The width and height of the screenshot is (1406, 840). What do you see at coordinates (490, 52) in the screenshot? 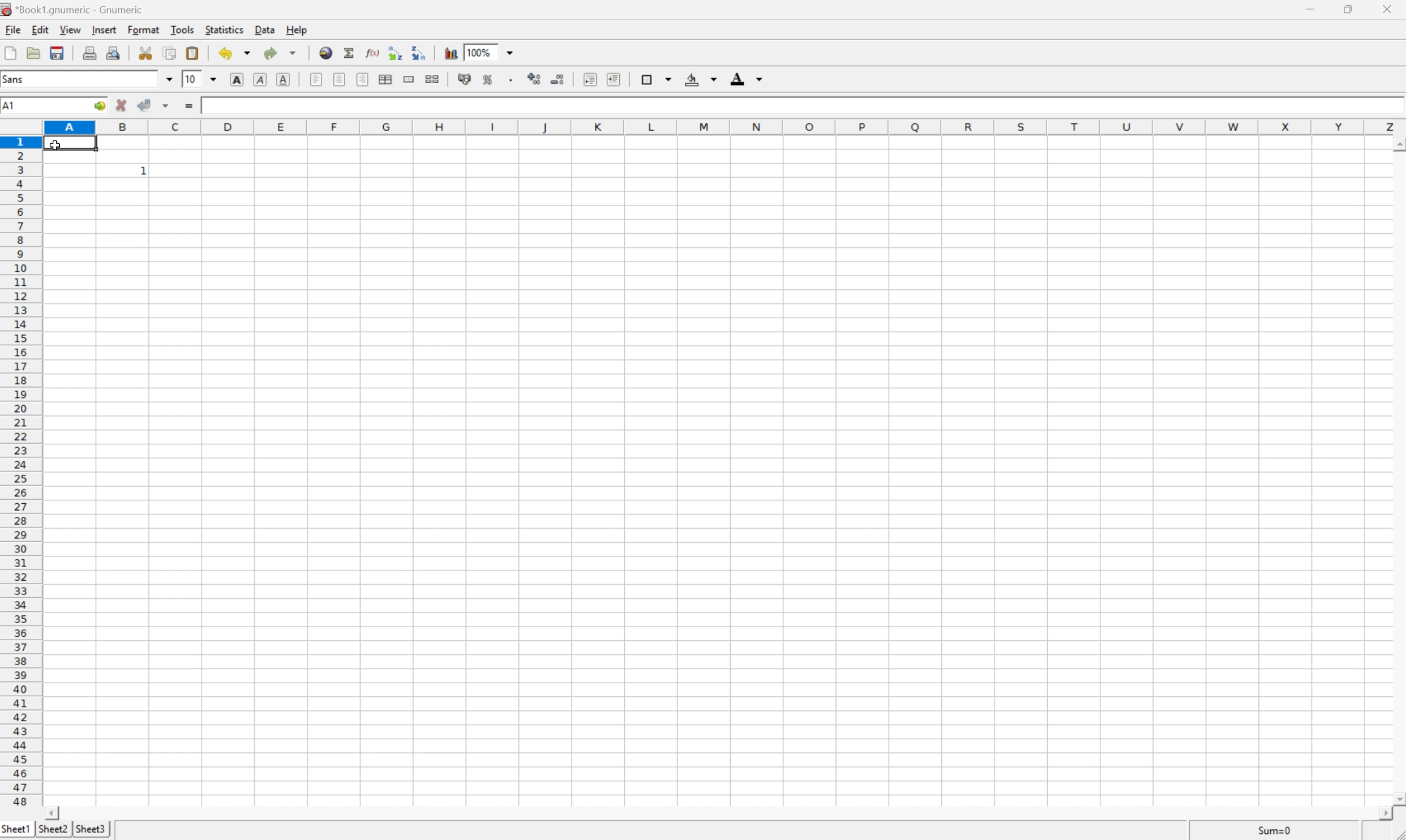
I see `zoom` at bounding box center [490, 52].